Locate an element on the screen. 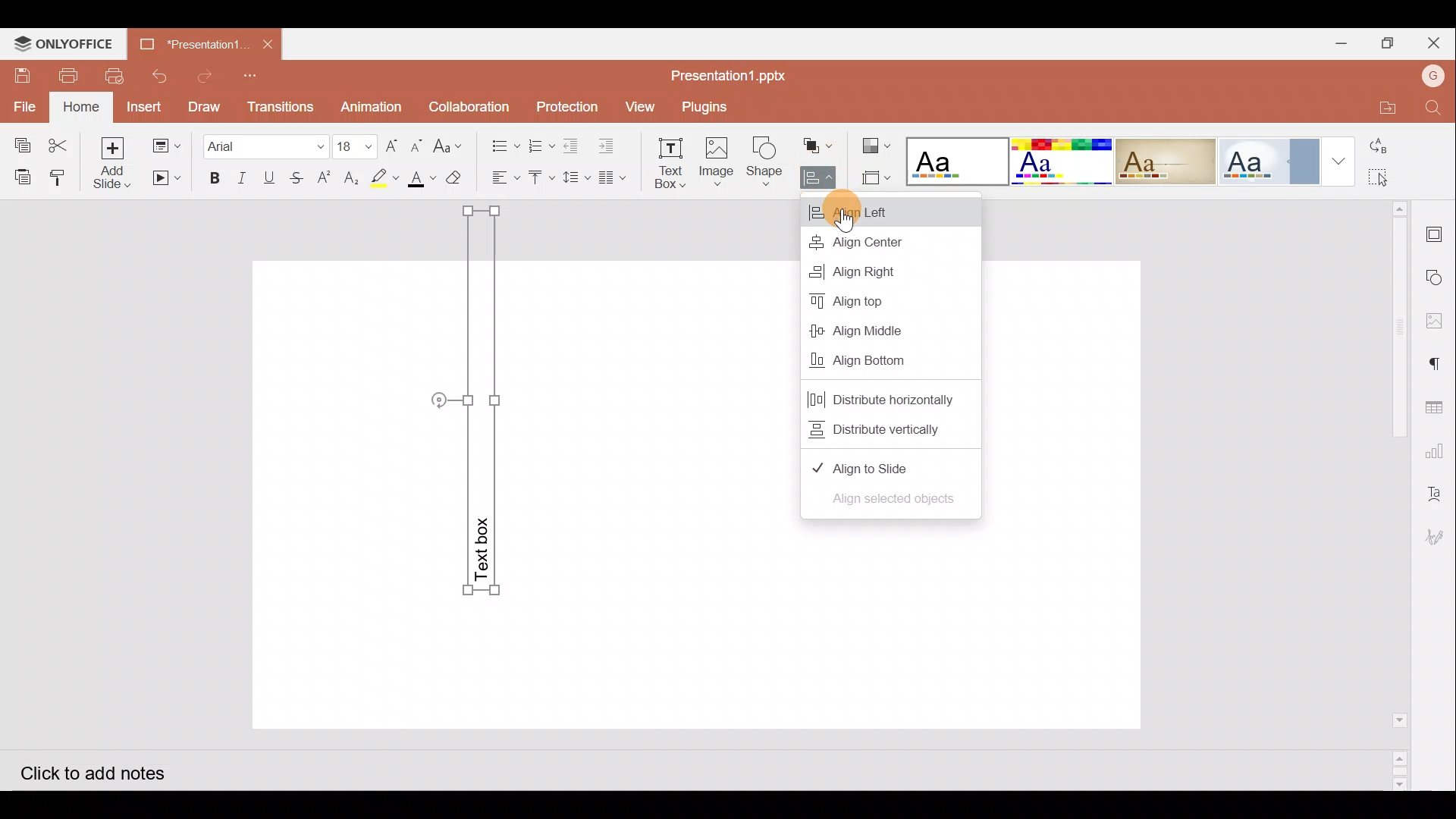 Image resolution: width=1456 pixels, height=819 pixels. Rotated Text Box is located at coordinates (476, 406).